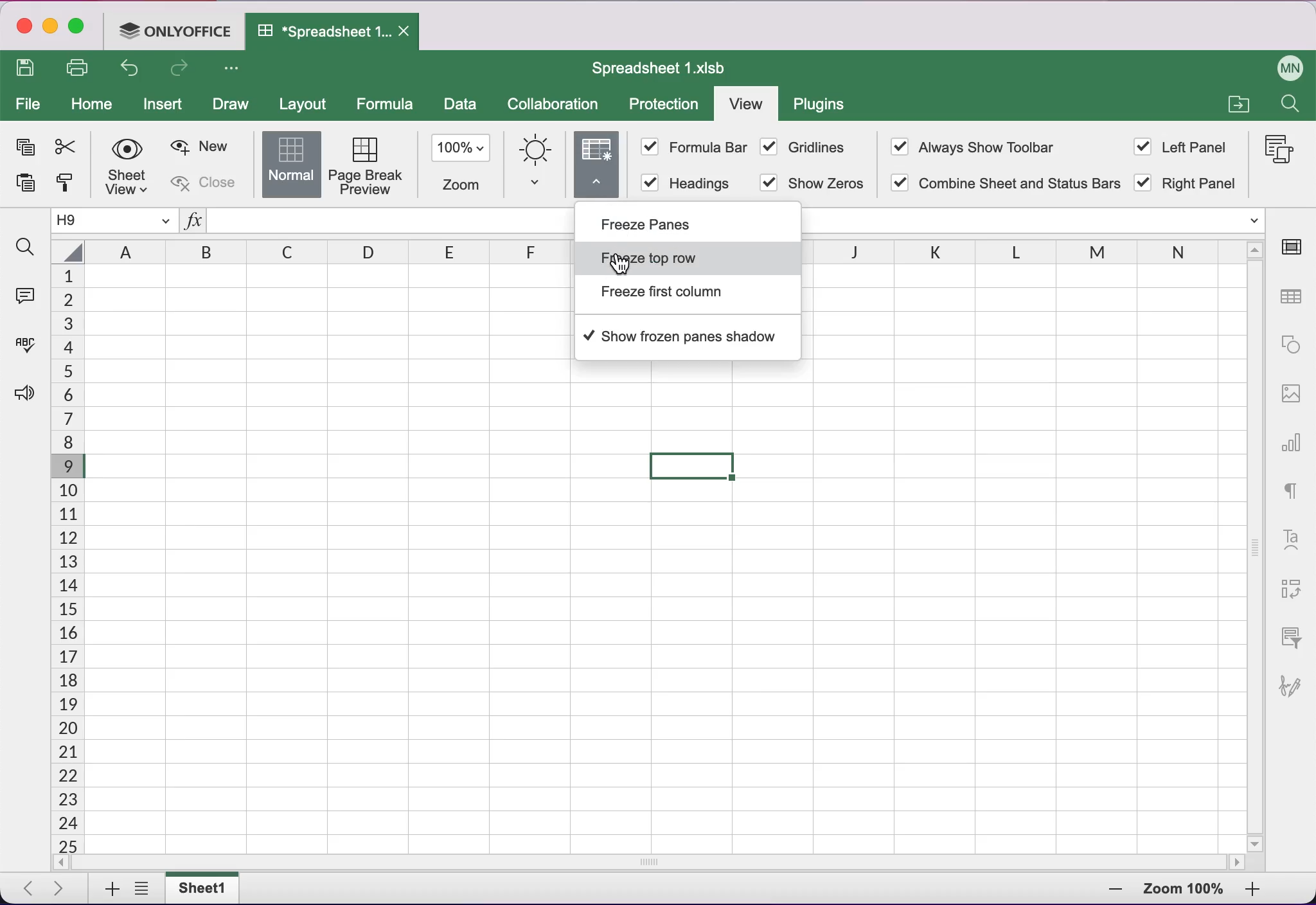 The height and width of the screenshot is (905, 1316). Describe the element at coordinates (195, 220) in the screenshot. I see `functions` at that location.